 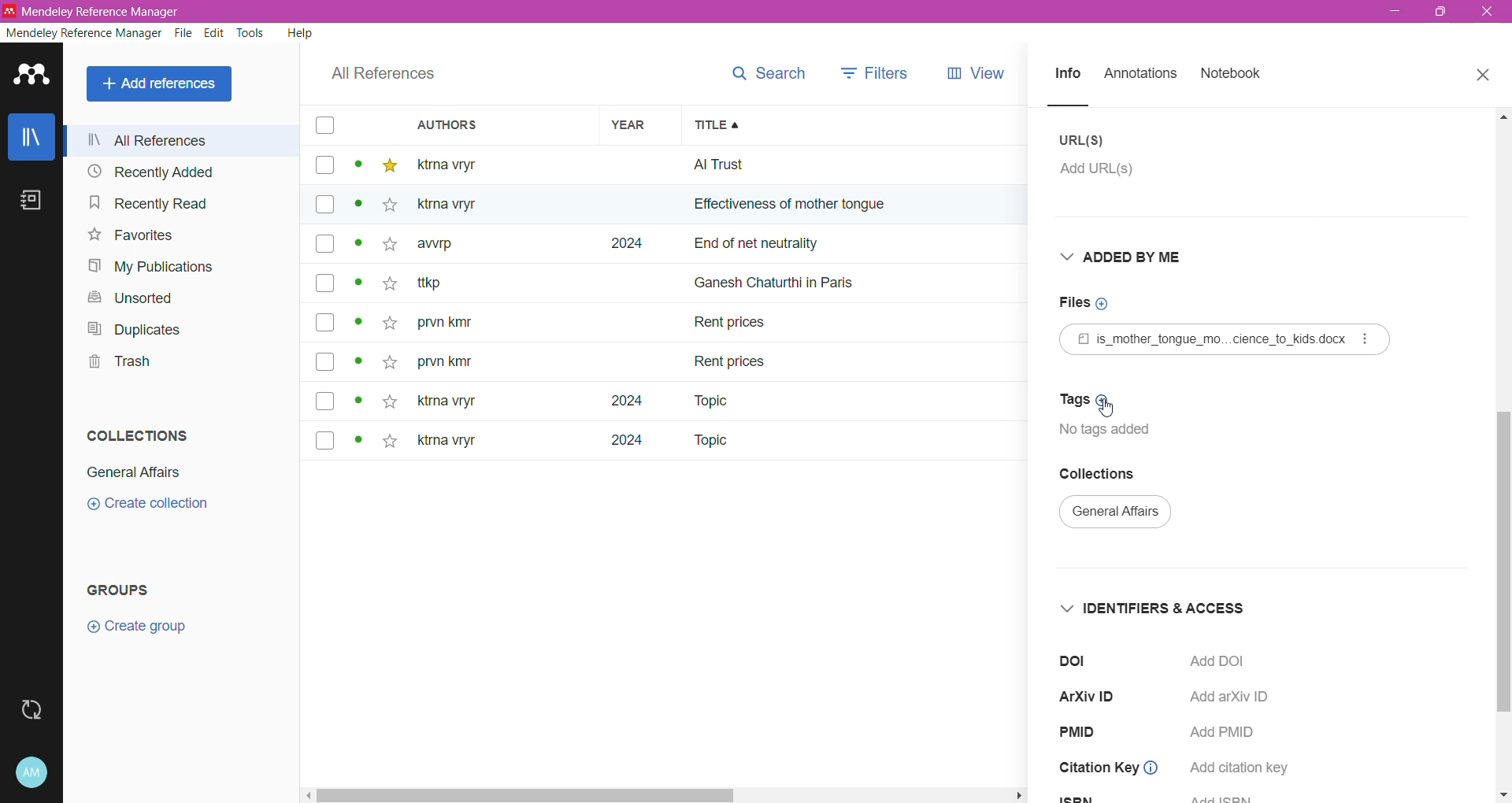 What do you see at coordinates (766, 73) in the screenshot?
I see `search` at bounding box center [766, 73].